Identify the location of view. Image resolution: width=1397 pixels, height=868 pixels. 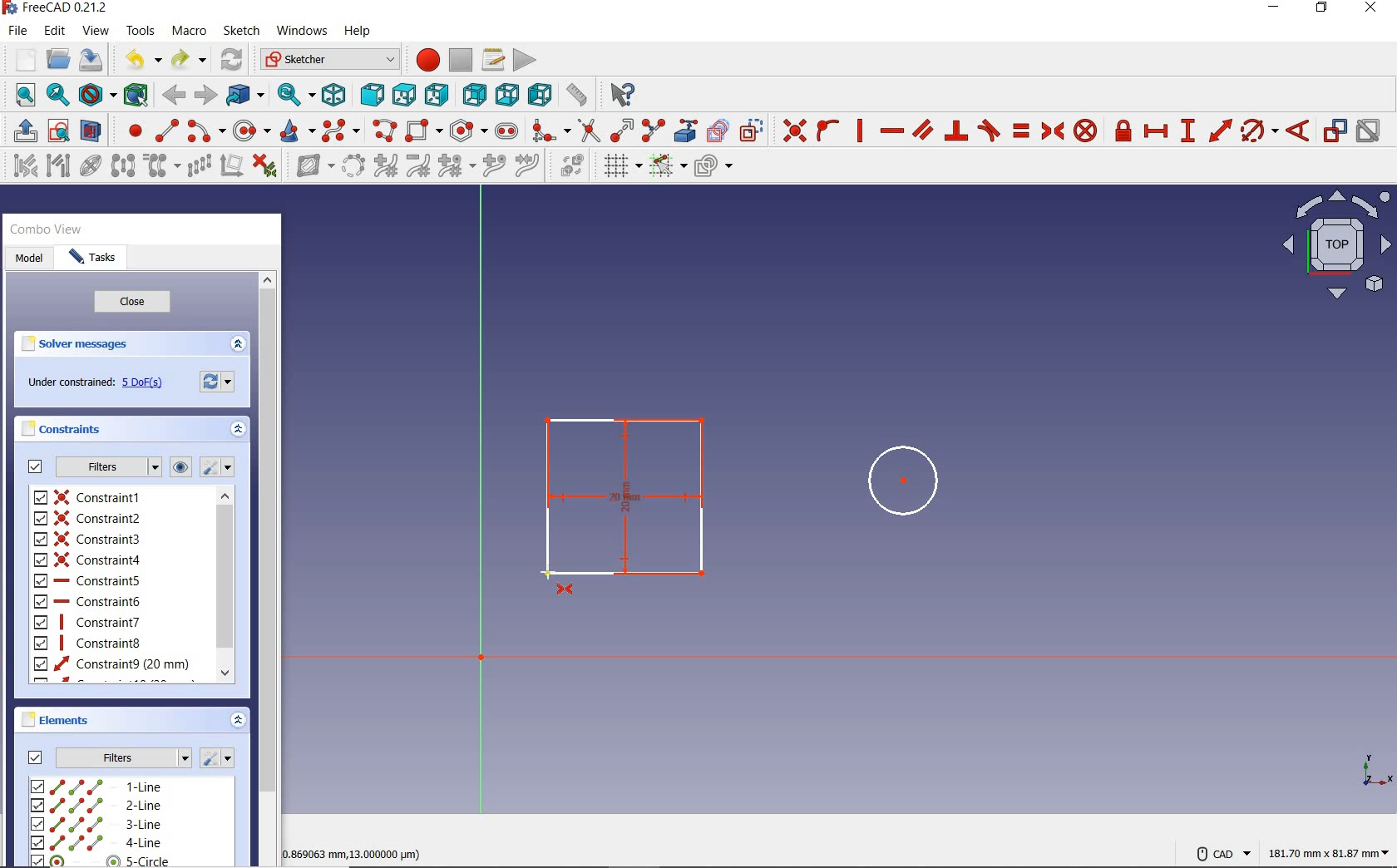
(96, 31).